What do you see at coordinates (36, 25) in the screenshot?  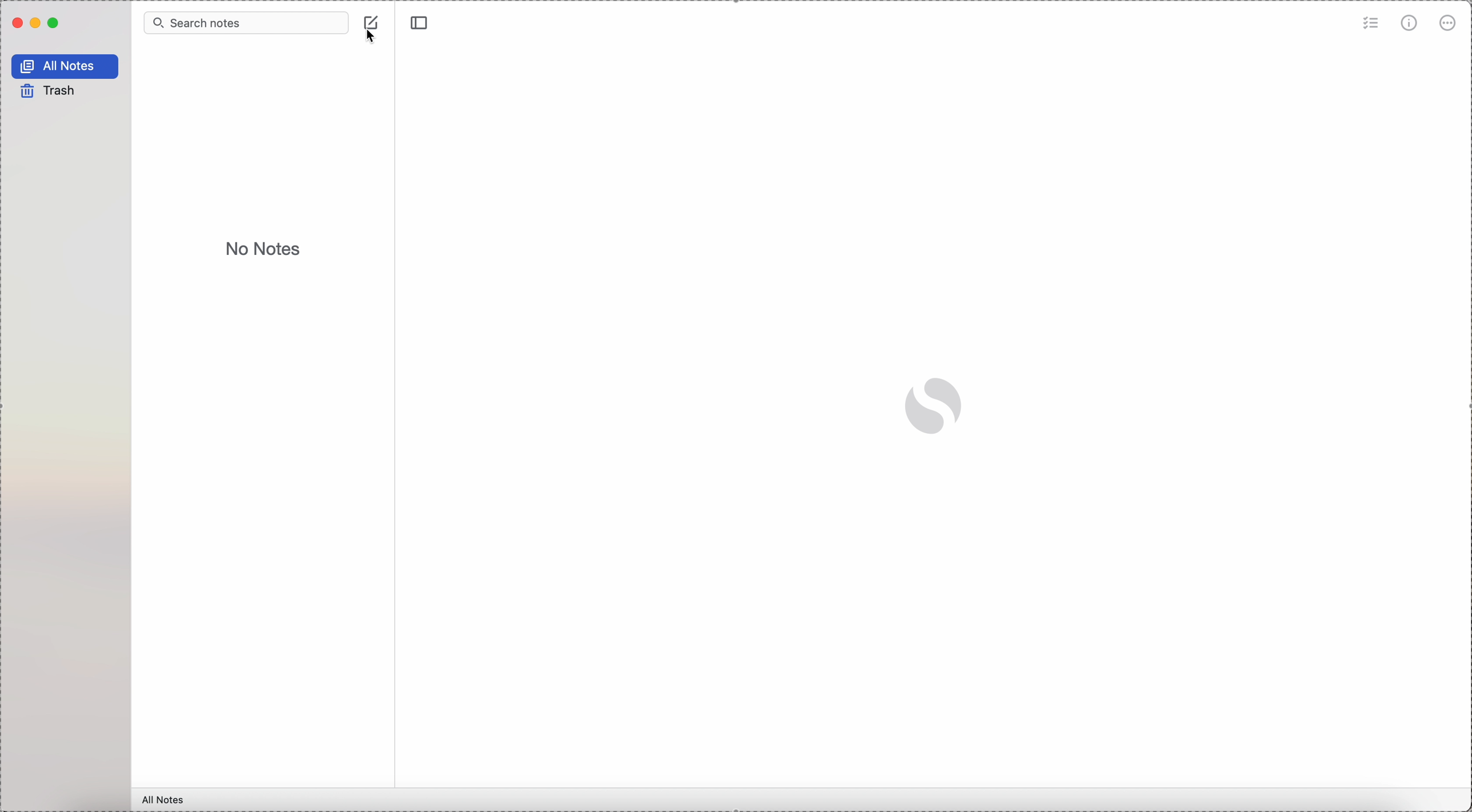 I see `minimize` at bounding box center [36, 25].